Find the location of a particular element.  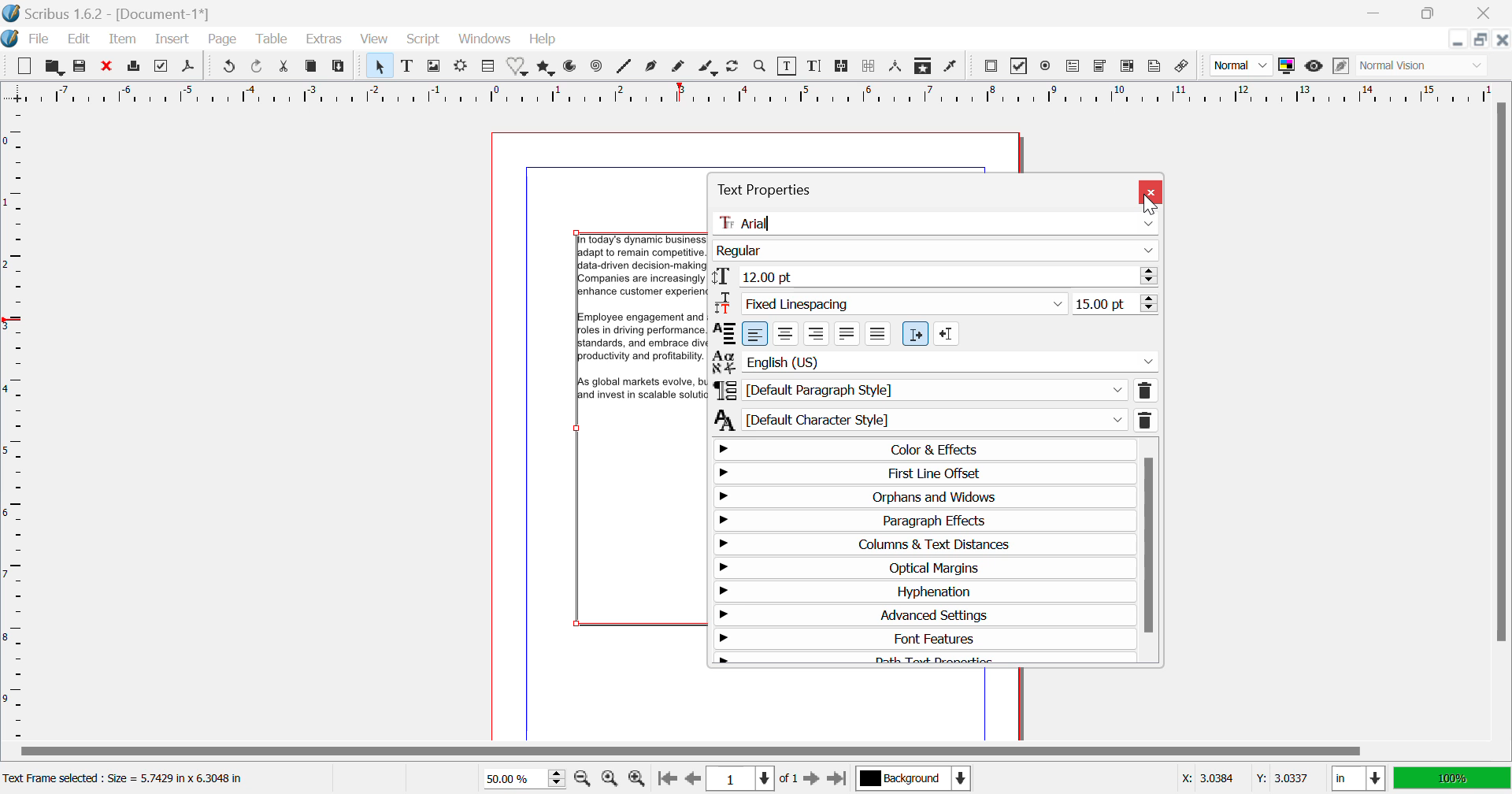

Horizontal Page Margins is located at coordinates (17, 425).